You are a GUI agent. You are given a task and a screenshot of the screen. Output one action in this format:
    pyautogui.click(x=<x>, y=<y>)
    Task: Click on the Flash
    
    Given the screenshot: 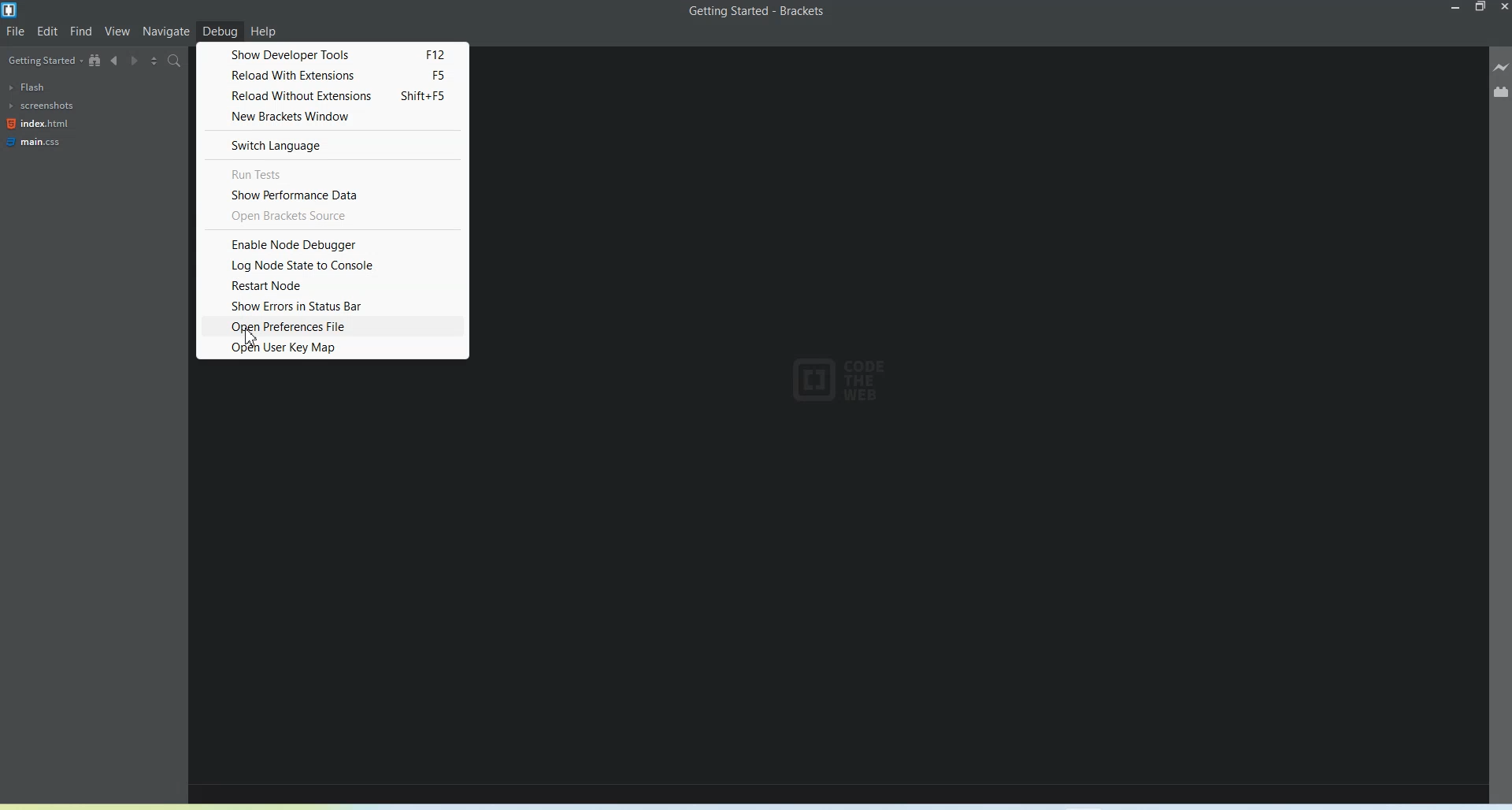 What is the action you would take?
    pyautogui.click(x=36, y=87)
    